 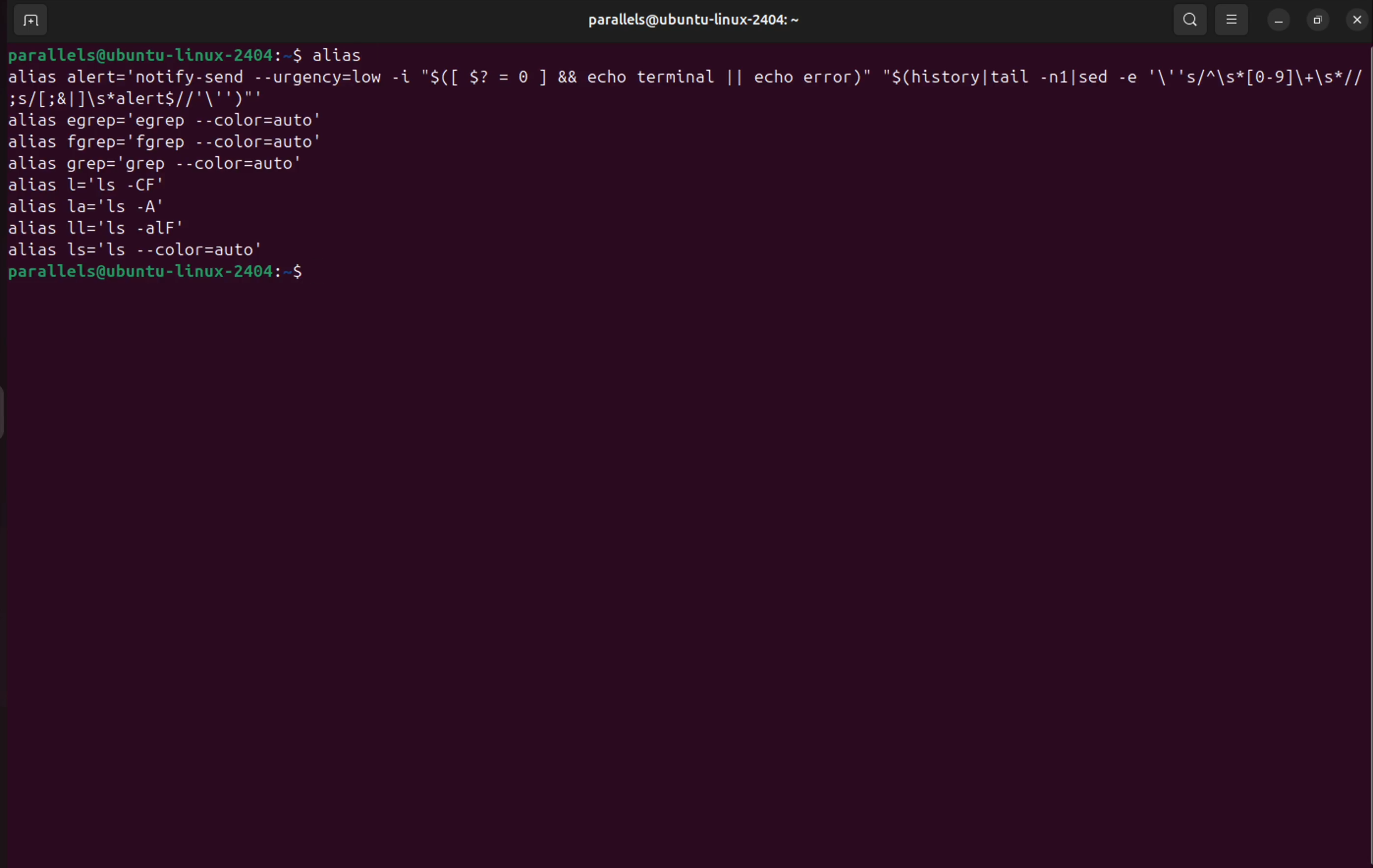 What do you see at coordinates (1234, 21) in the screenshot?
I see `view options` at bounding box center [1234, 21].